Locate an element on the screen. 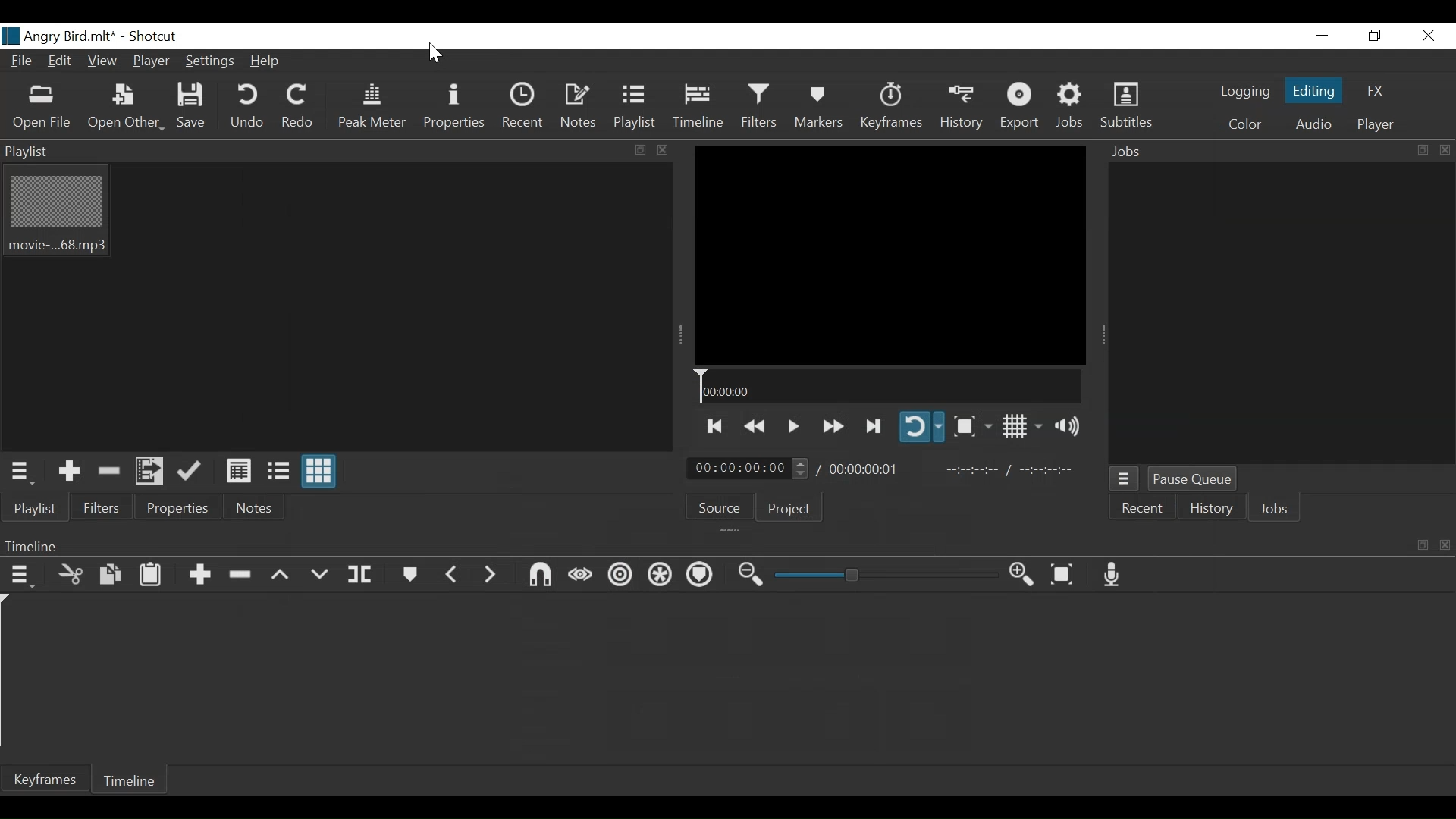  Editing is located at coordinates (1314, 88).